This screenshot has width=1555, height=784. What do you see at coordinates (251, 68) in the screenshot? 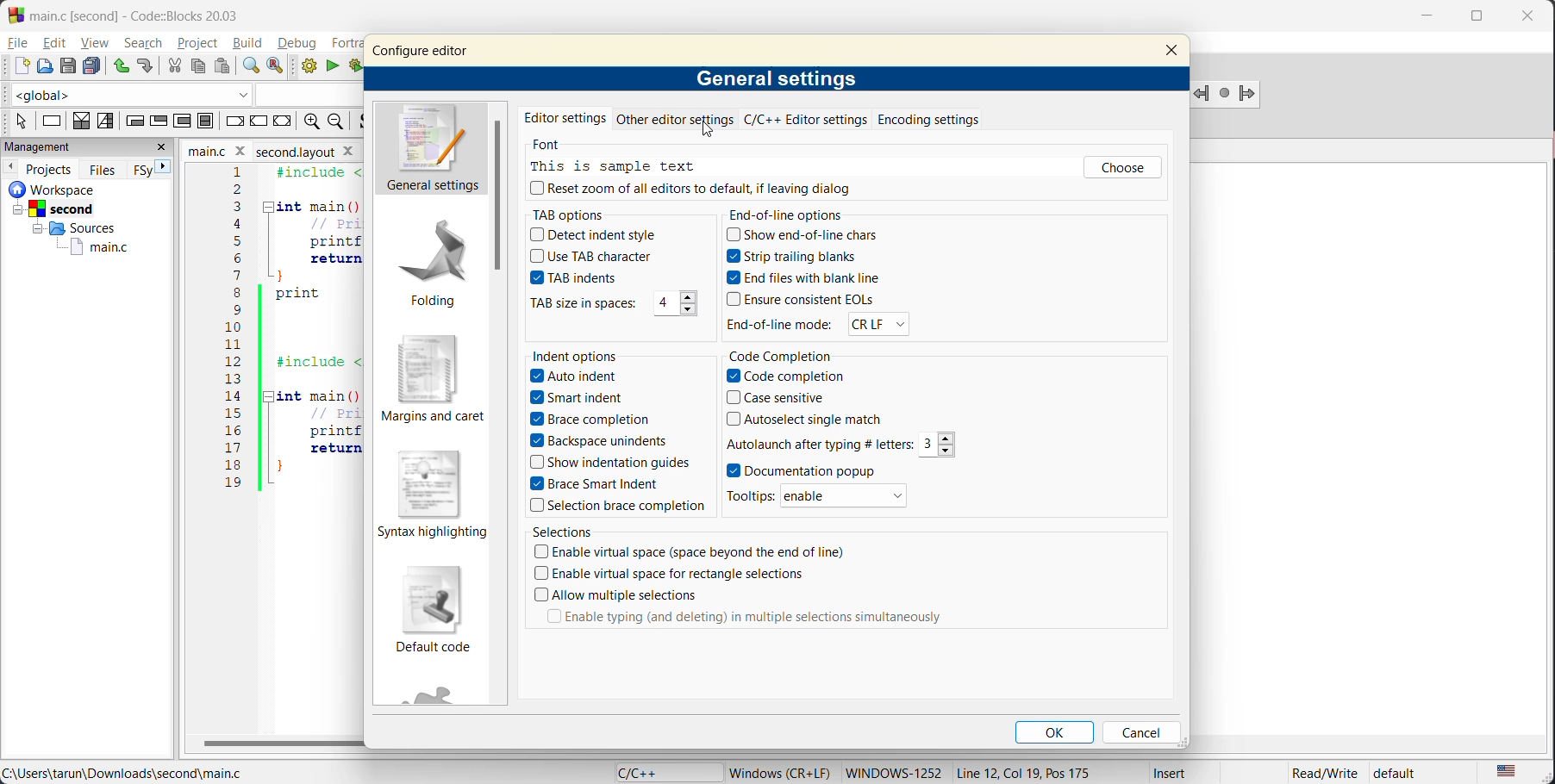
I see `find` at bounding box center [251, 68].